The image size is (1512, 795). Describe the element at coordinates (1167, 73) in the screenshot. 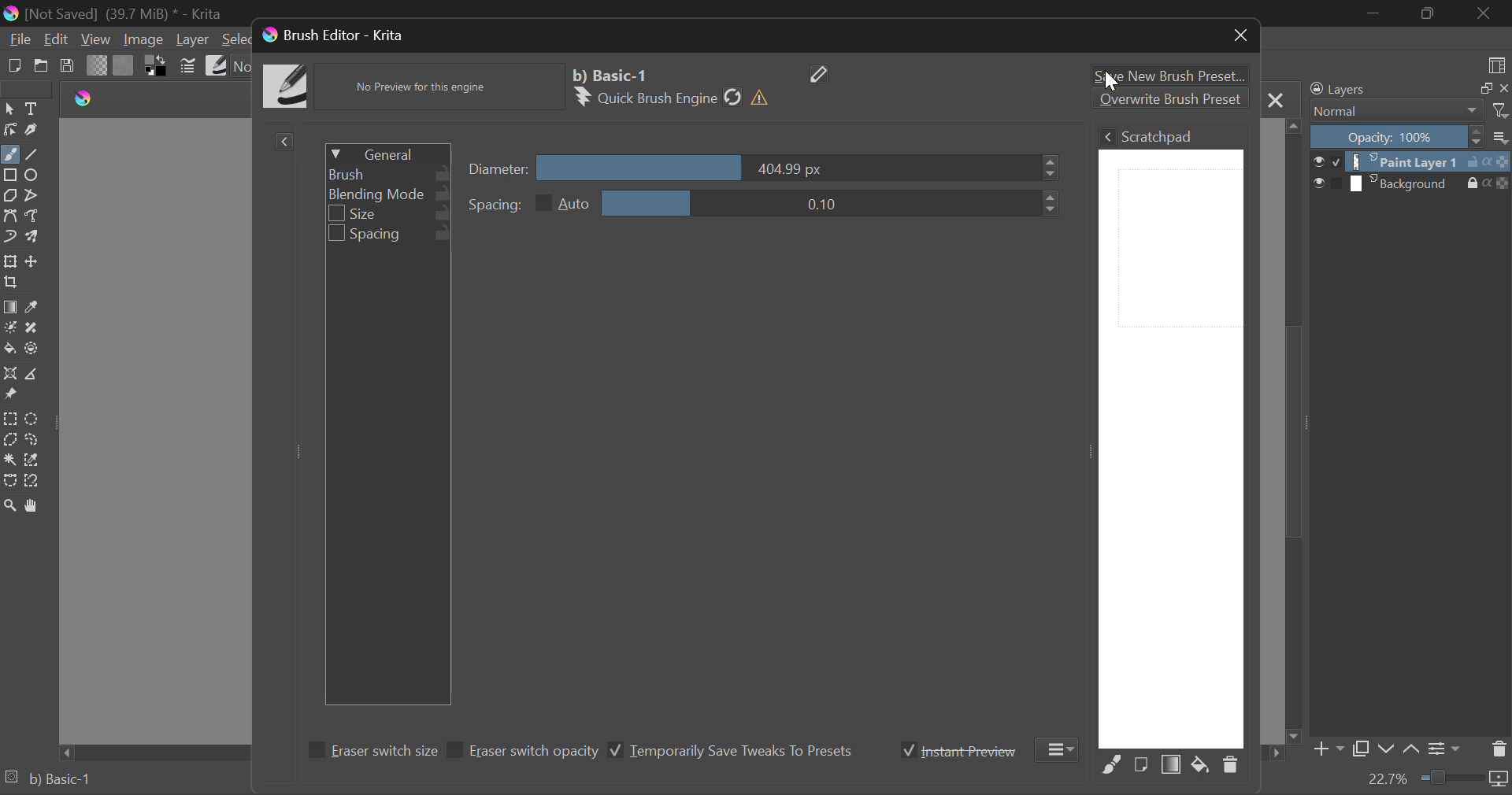

I see `Save New Brush Preset` at that location.